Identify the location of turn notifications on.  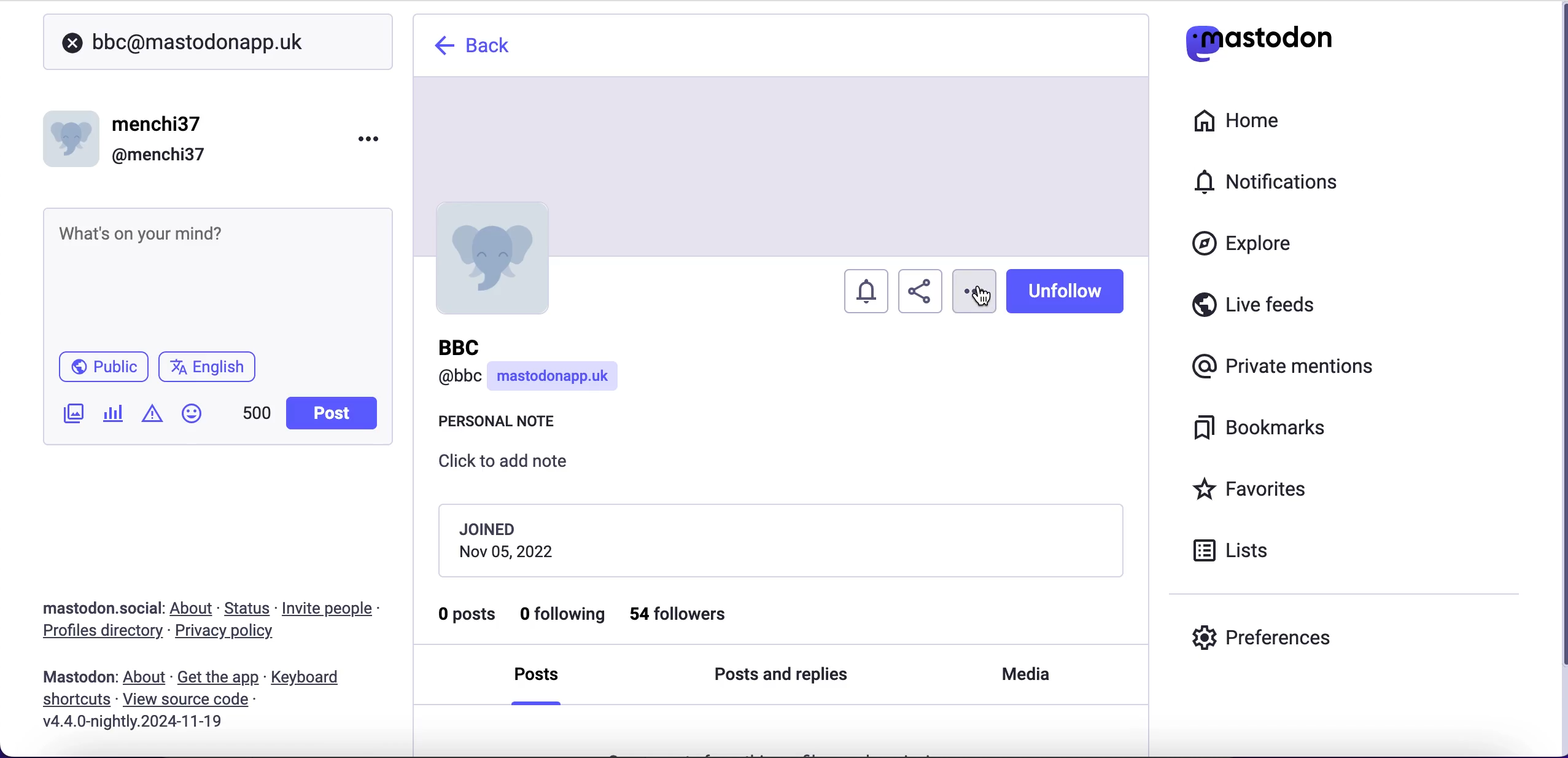
(867, 287).